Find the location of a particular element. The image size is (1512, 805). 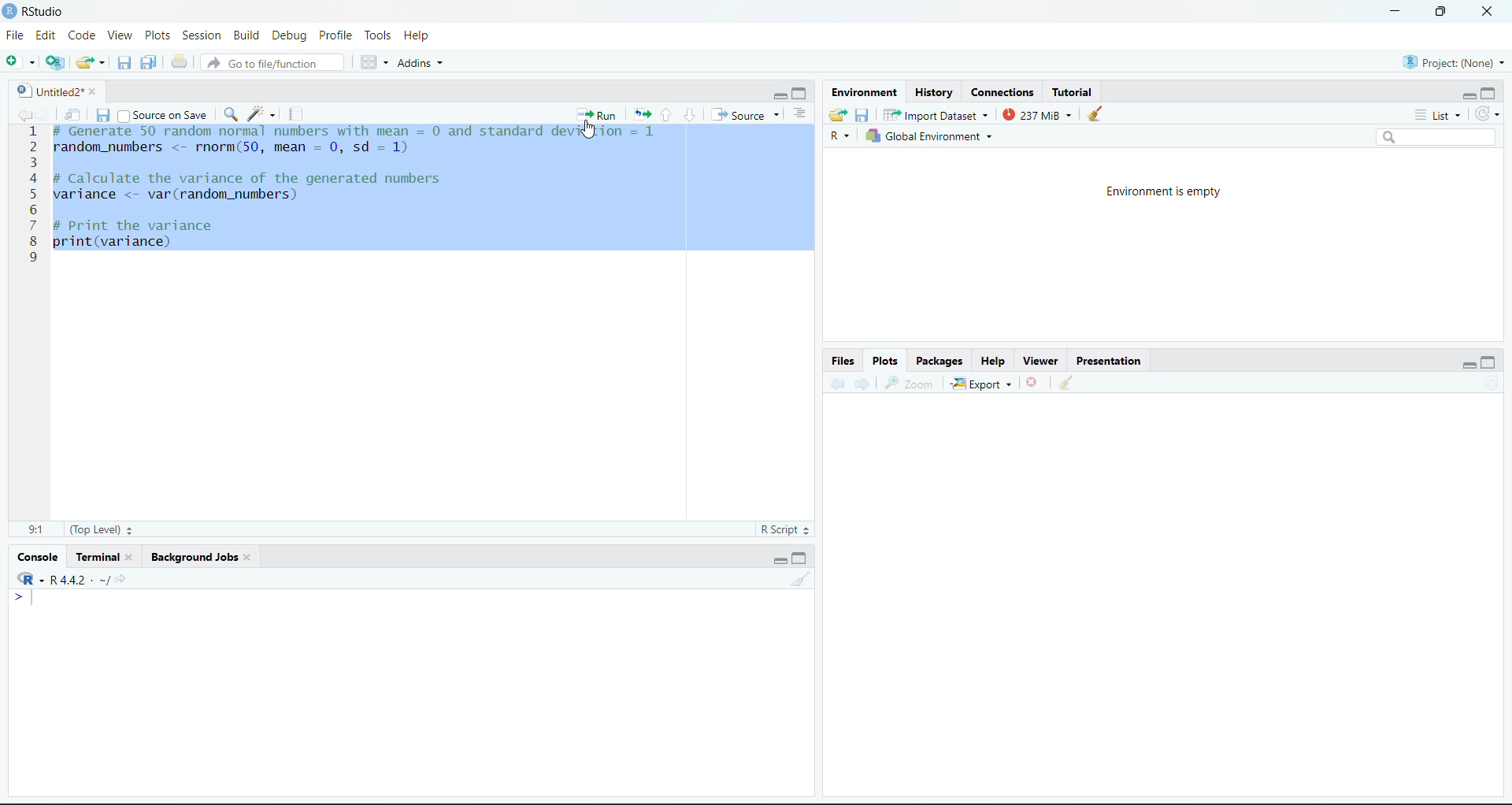

new file is located at coordinates (20, 61).